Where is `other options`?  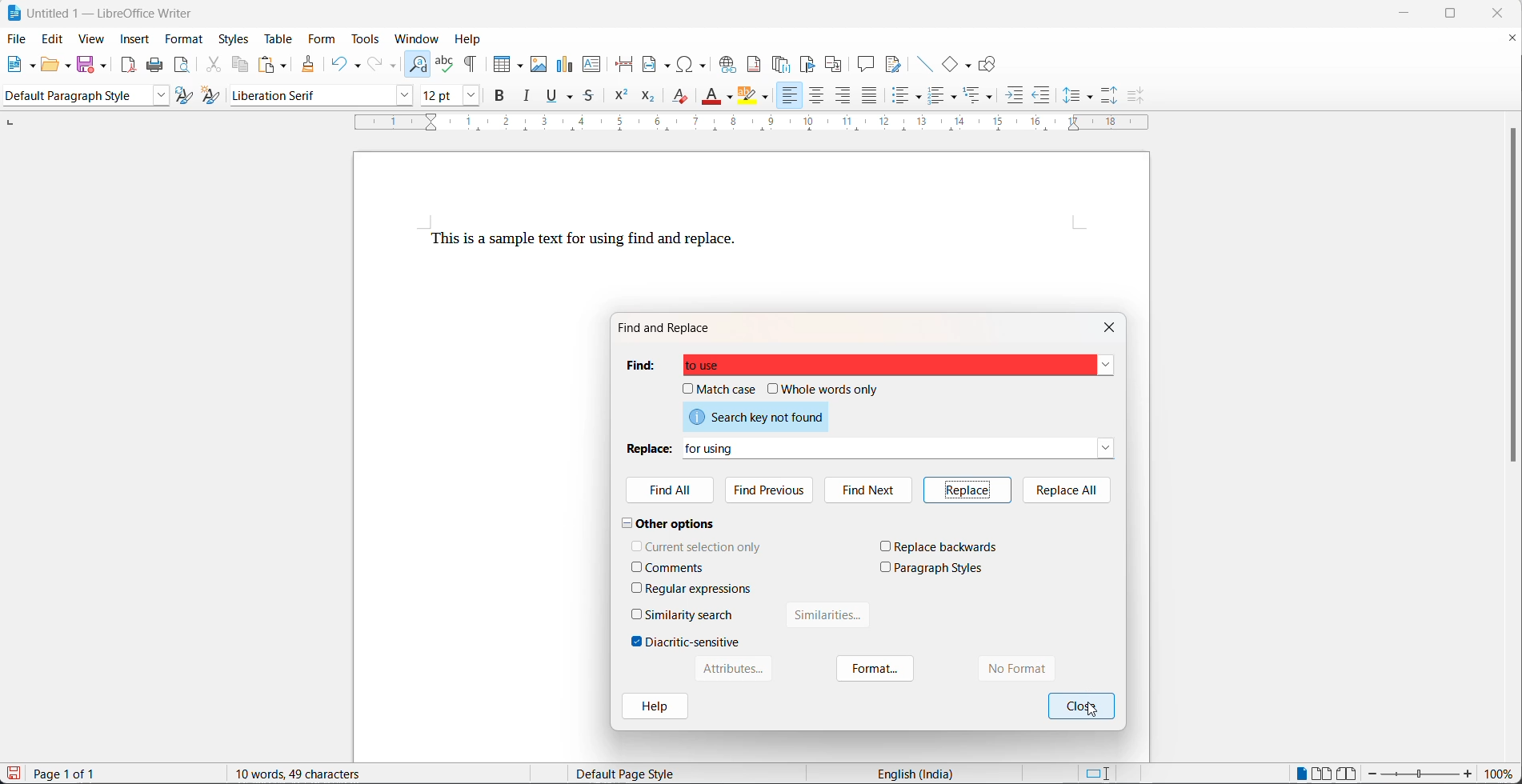 other options is located at coordinates (669, 522).